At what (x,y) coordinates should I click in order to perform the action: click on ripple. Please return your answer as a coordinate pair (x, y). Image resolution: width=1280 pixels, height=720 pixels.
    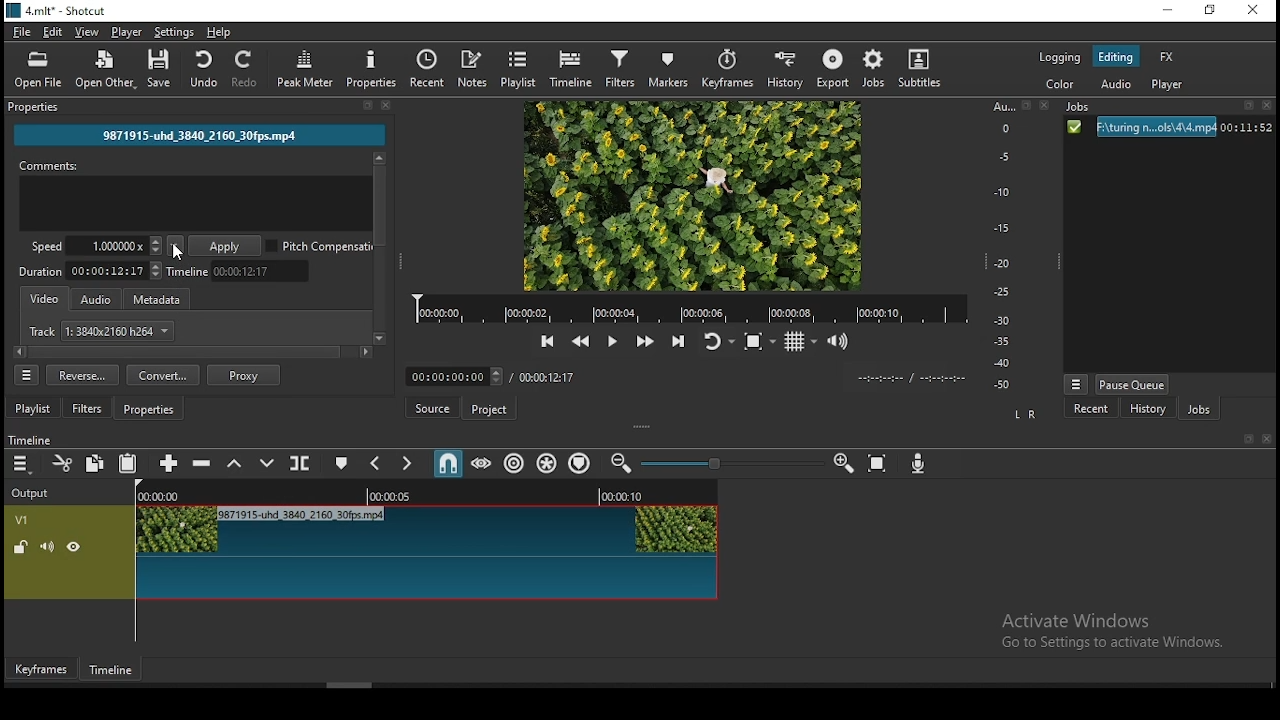
    Looking at the image, I should click on (515, 465).